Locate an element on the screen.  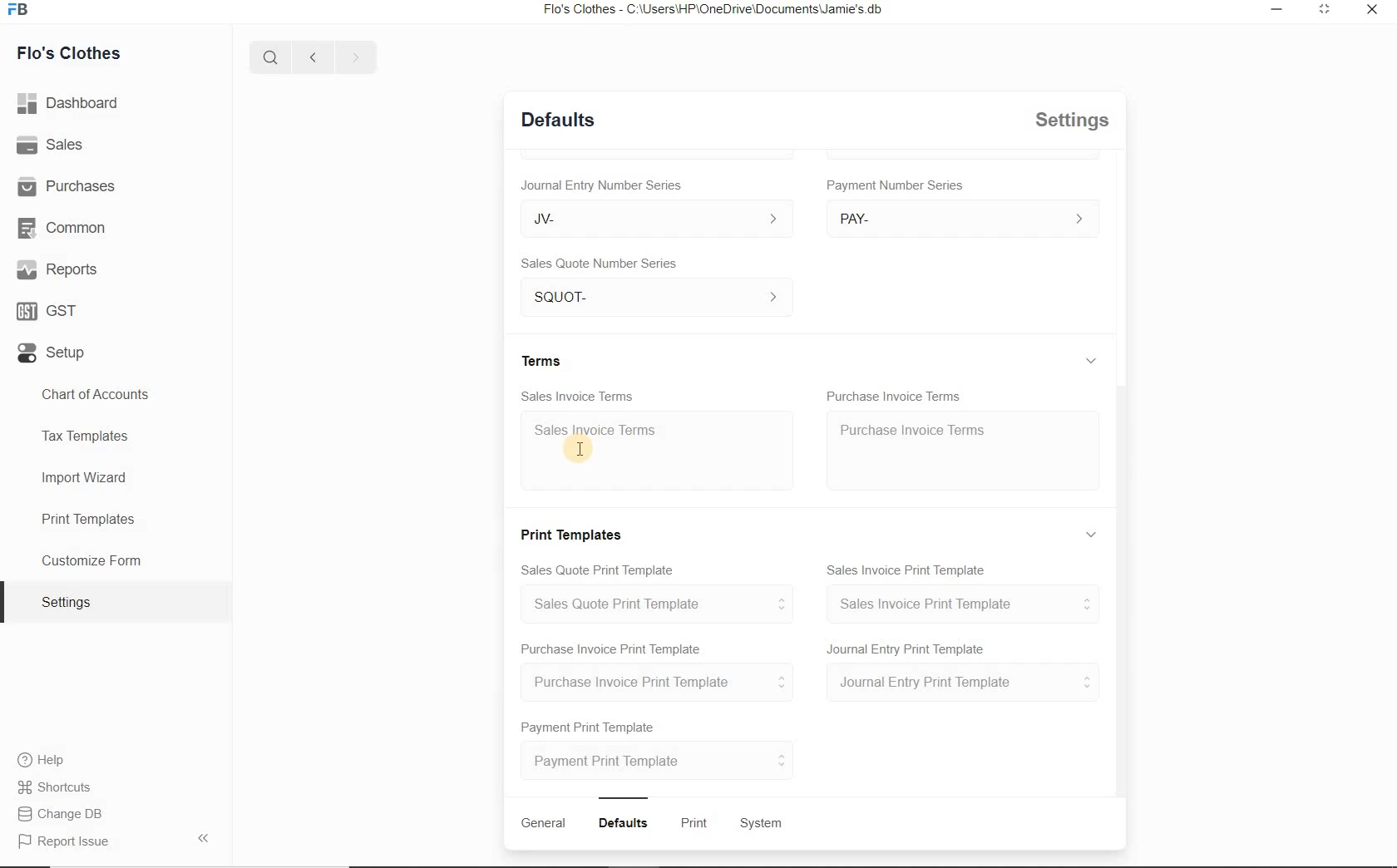
Terms is located at coordinates (545, 359).